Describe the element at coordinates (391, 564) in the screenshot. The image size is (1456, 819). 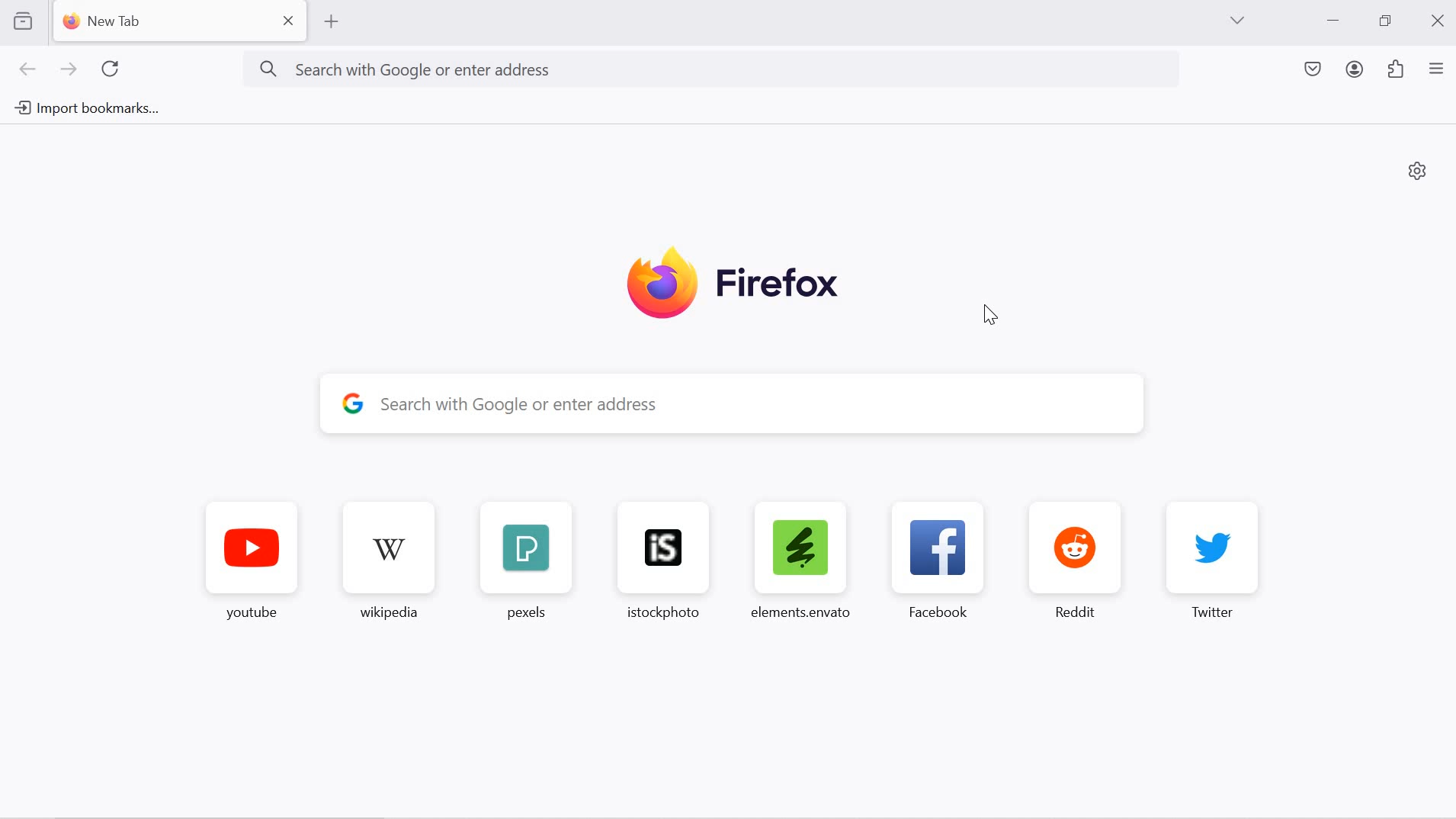
I see `‘Wikipedia` at that location.